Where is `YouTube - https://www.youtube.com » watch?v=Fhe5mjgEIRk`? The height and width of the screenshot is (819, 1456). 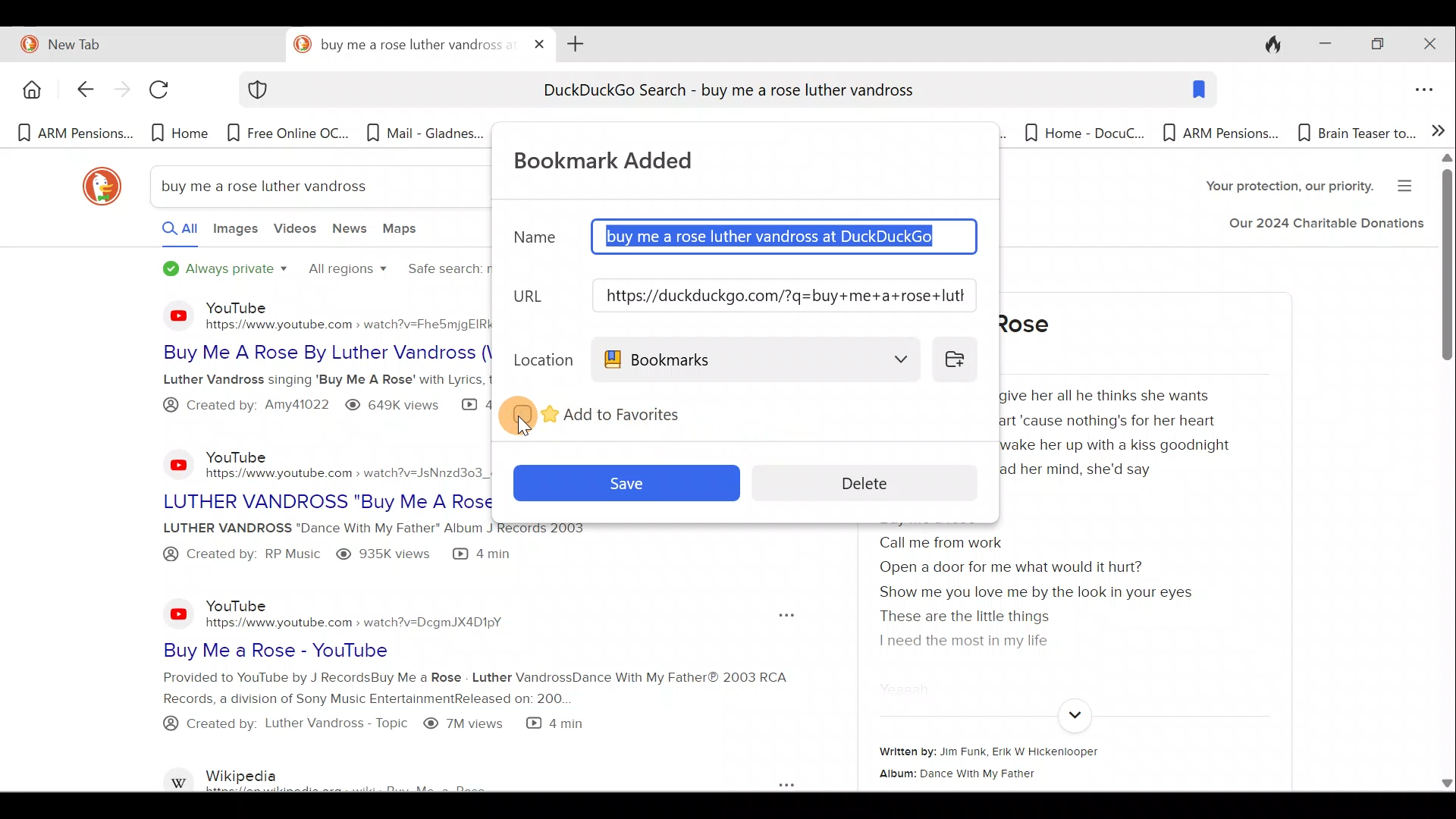
YouTube - https://www.youtube.com » watch?v=Fhe5mjgEIRk is located at coordinates (347, 314).